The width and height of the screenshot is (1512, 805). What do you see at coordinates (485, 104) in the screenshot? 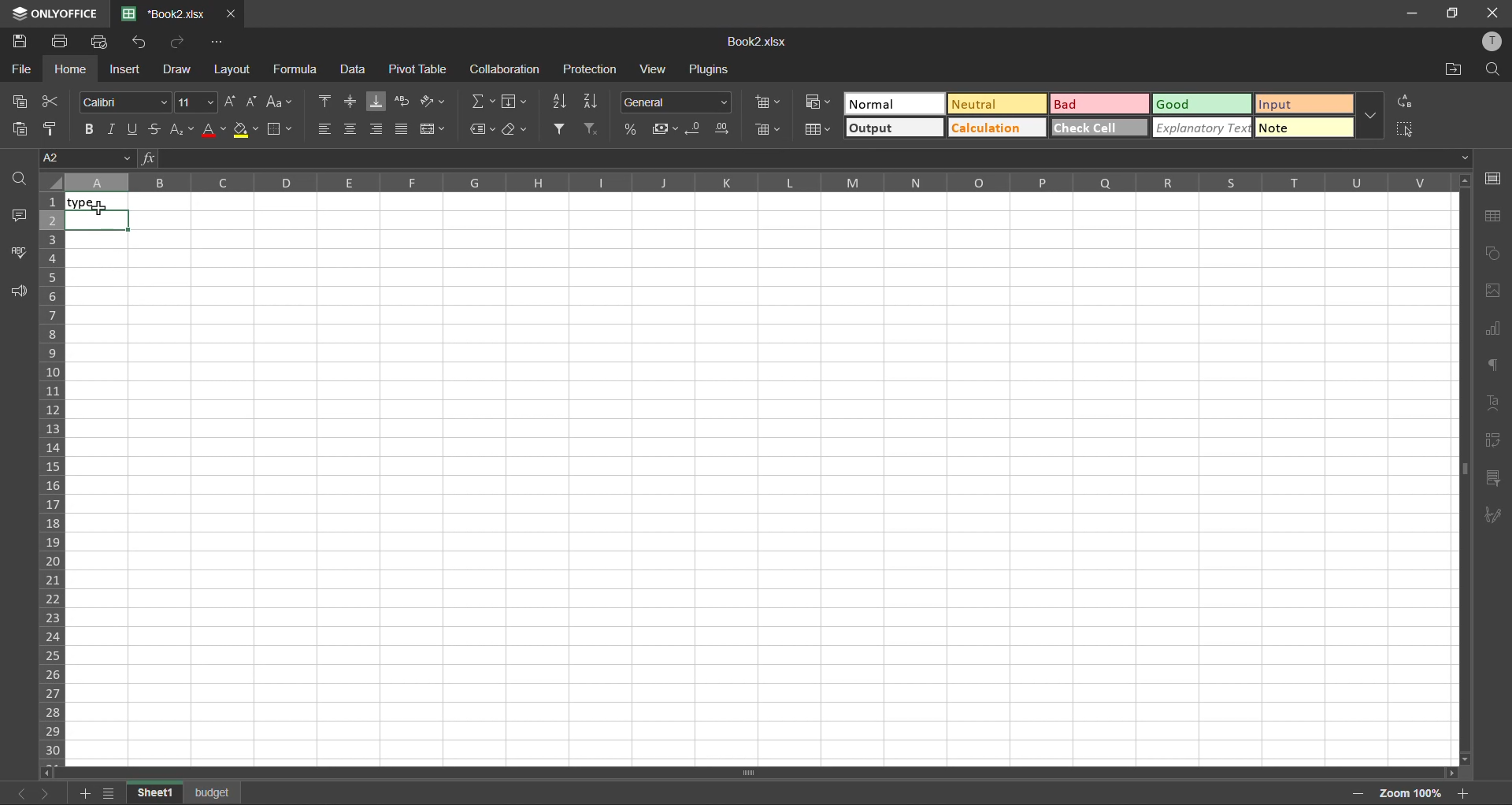
I see `summation` at bounding box center [485, 104].